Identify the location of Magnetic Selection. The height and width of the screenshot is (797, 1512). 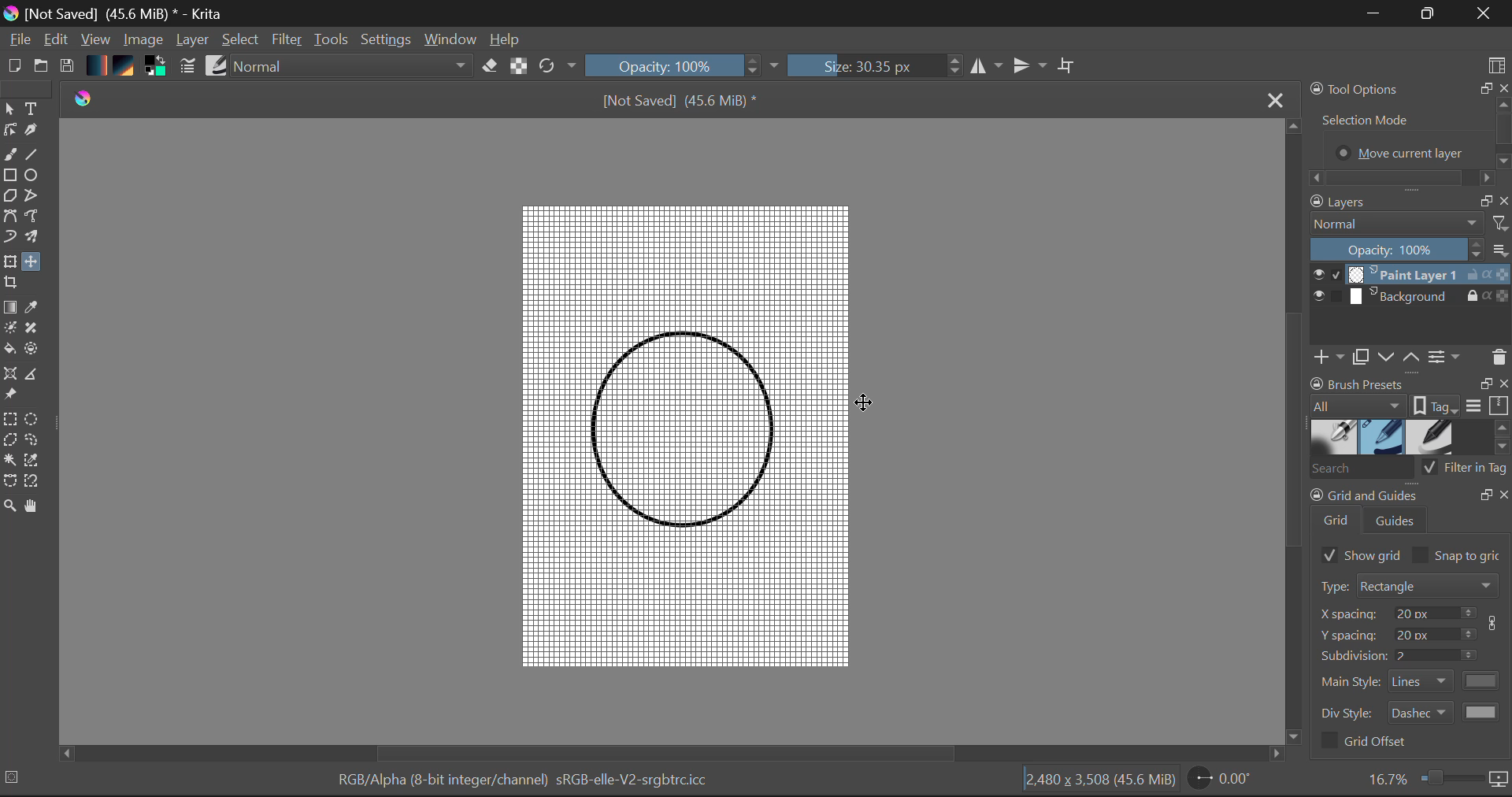
(30, 481).